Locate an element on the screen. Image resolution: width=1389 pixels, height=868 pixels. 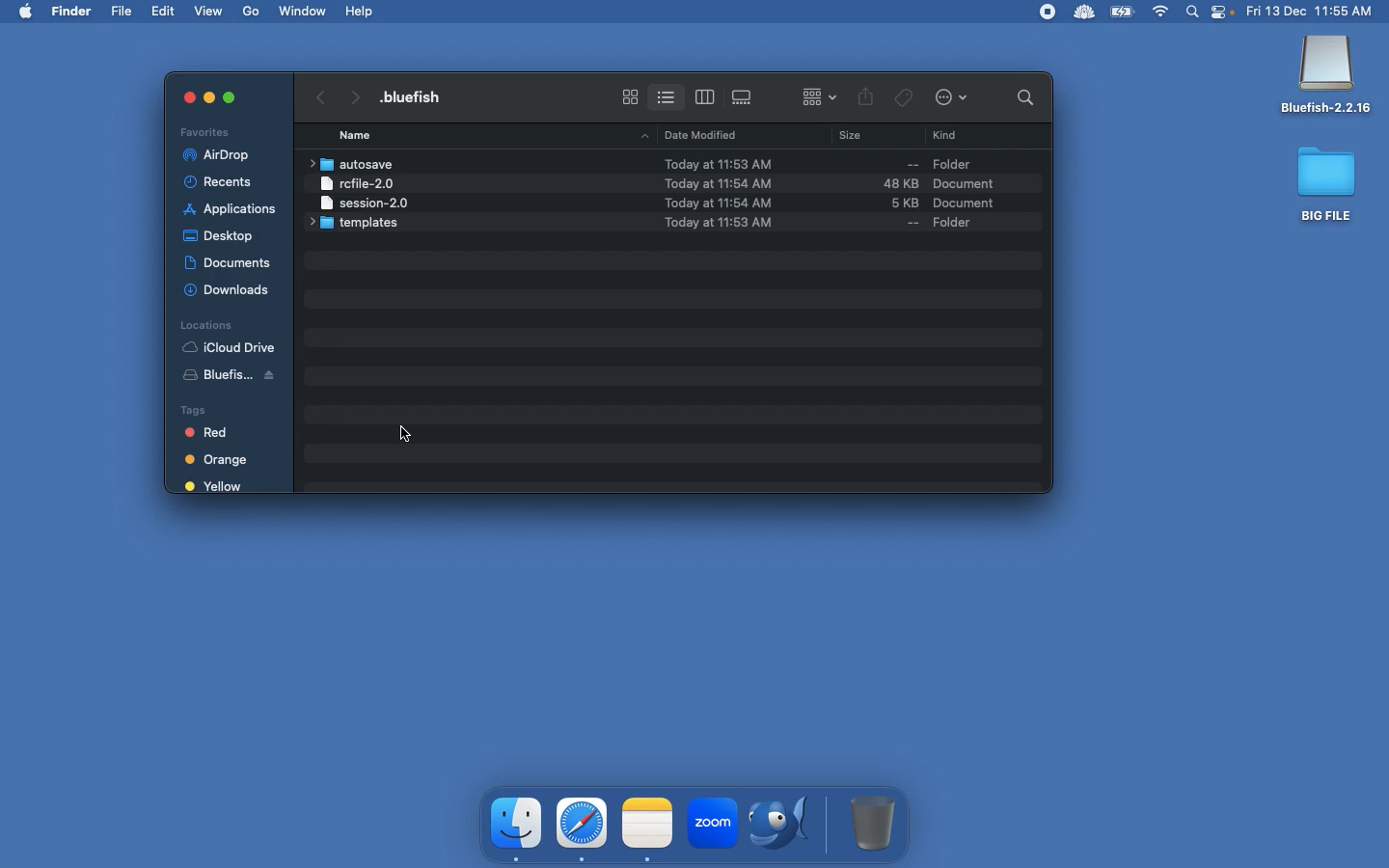
note is located at coordinates (647, 821).